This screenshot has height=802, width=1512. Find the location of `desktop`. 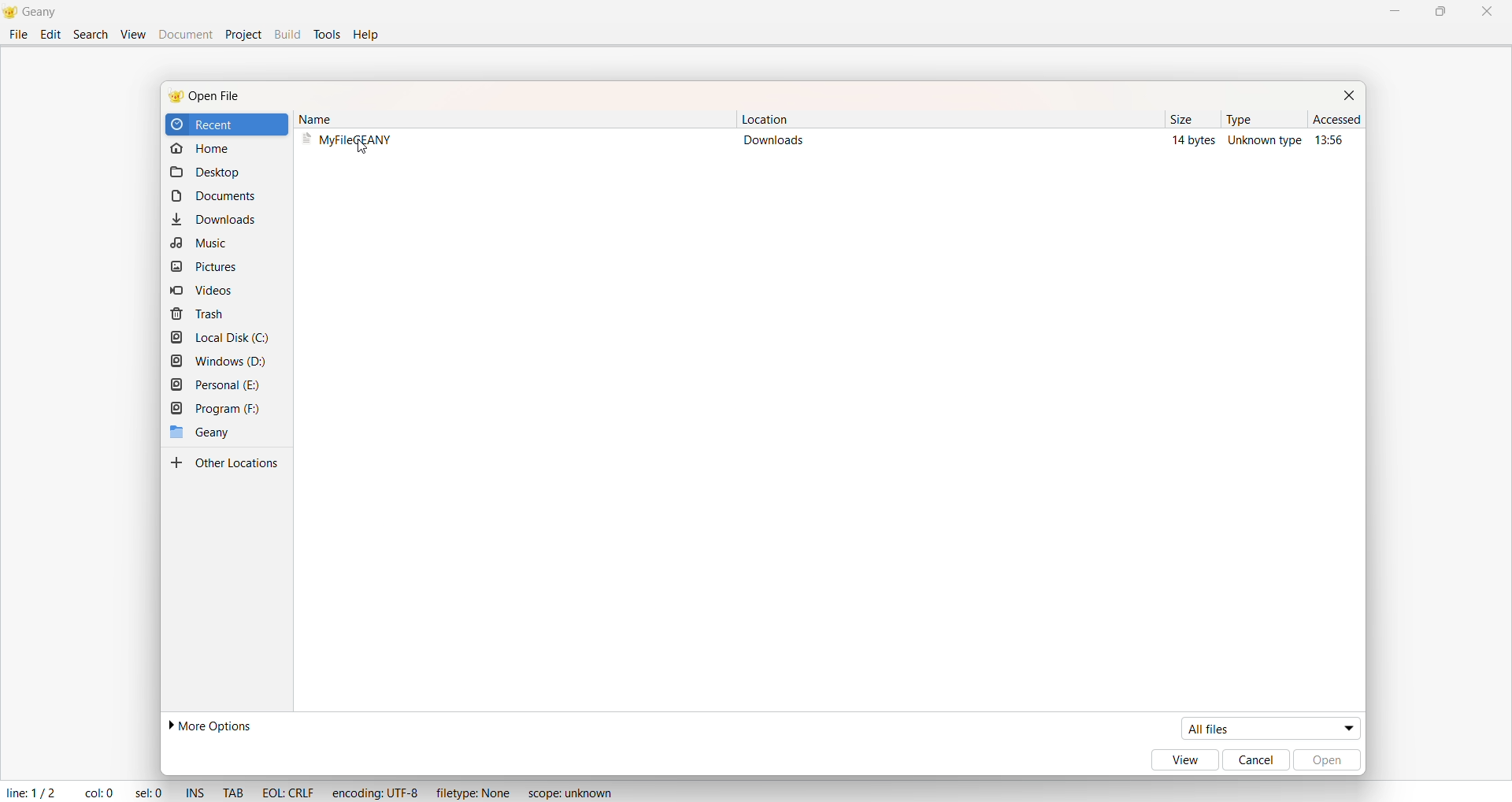

desktop is located at coordinates (207, 175).